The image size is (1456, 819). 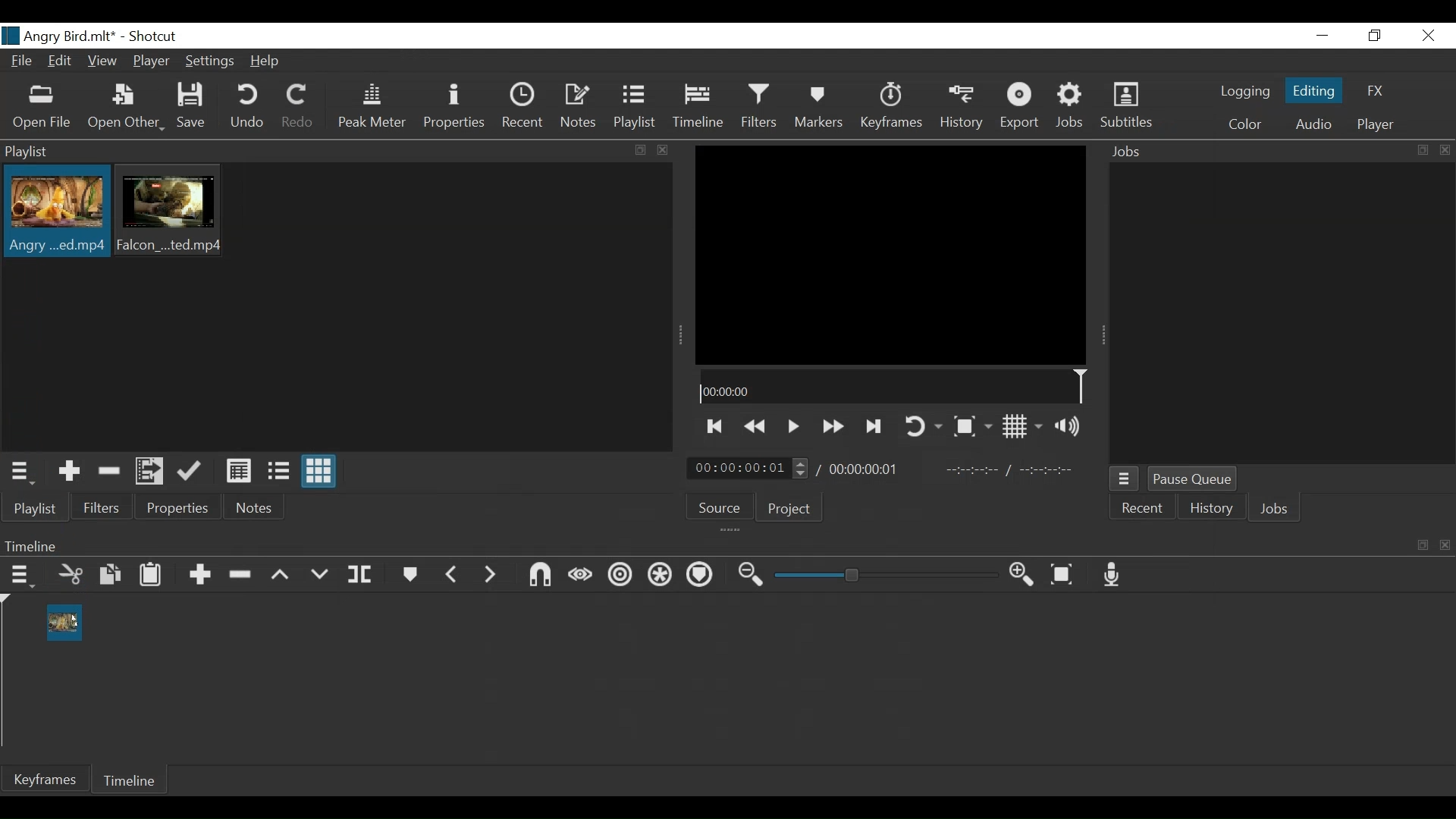 I want to click on Add the Source to the laylist, so click(x=70, y=472).